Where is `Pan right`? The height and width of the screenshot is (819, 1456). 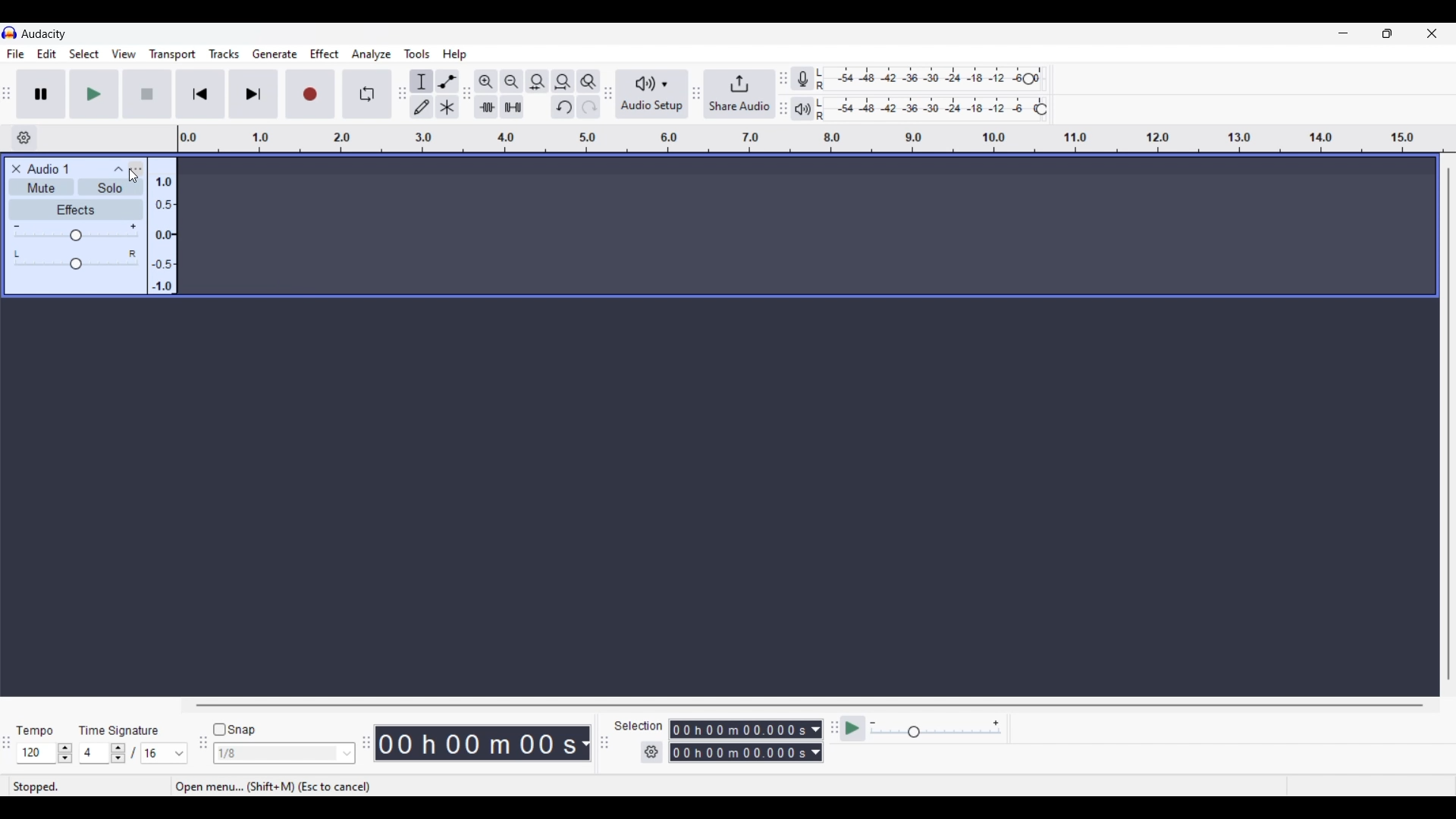
Pan right is located at coordinates (132, 253).